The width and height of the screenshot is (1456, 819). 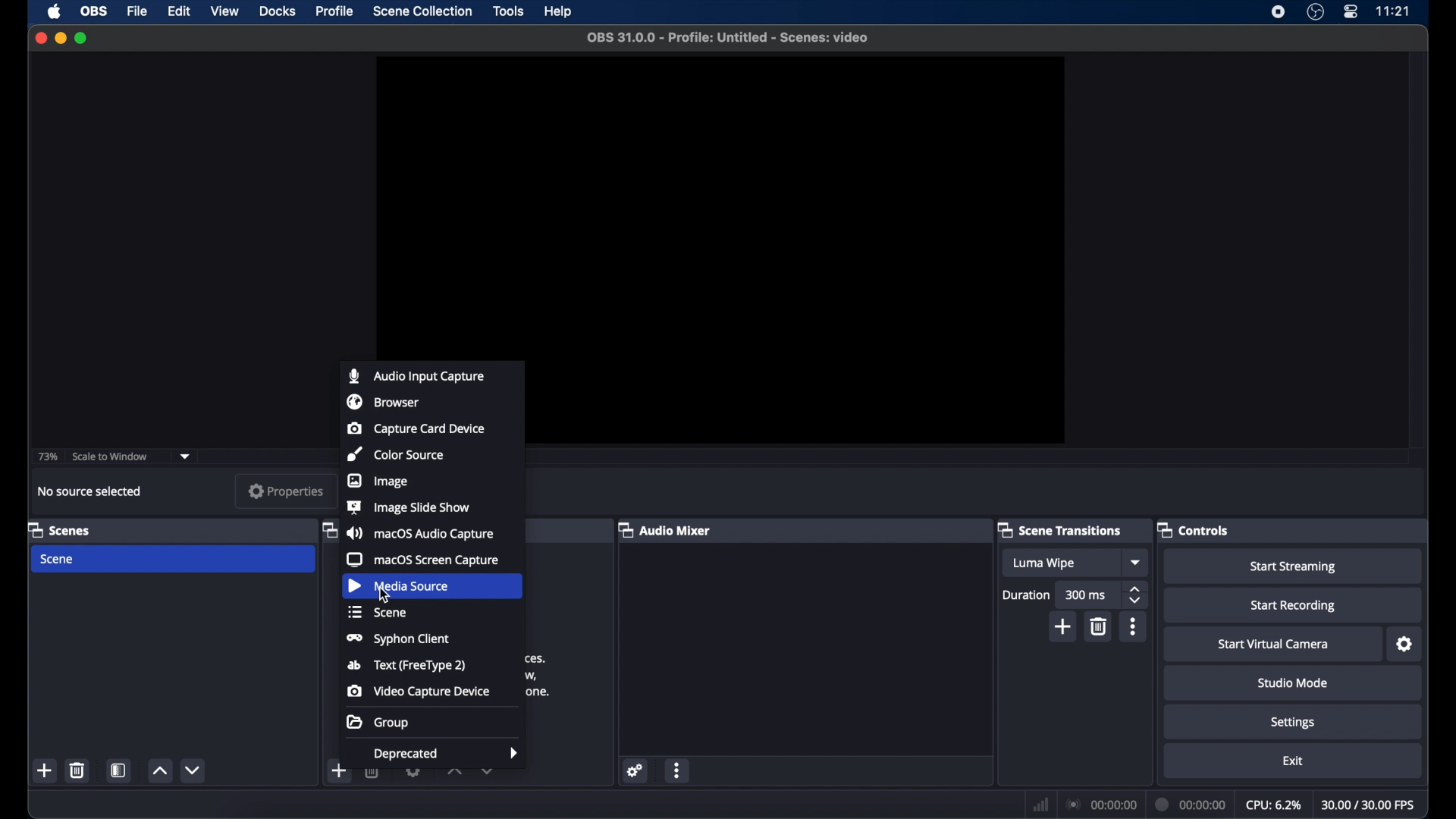 I want to click on scene collection, so click(x=422, y=11).